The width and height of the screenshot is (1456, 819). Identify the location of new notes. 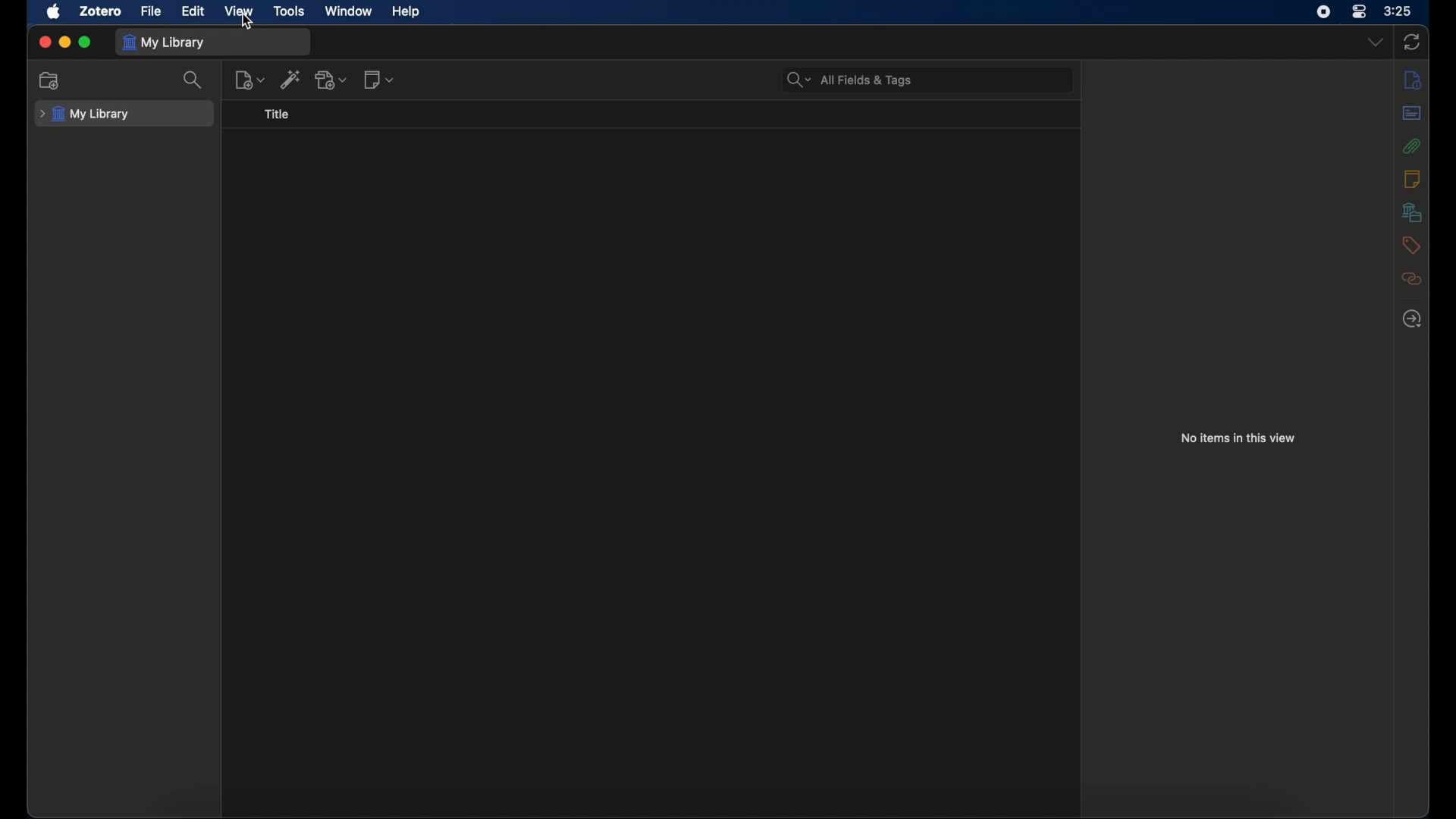
(378, 79).